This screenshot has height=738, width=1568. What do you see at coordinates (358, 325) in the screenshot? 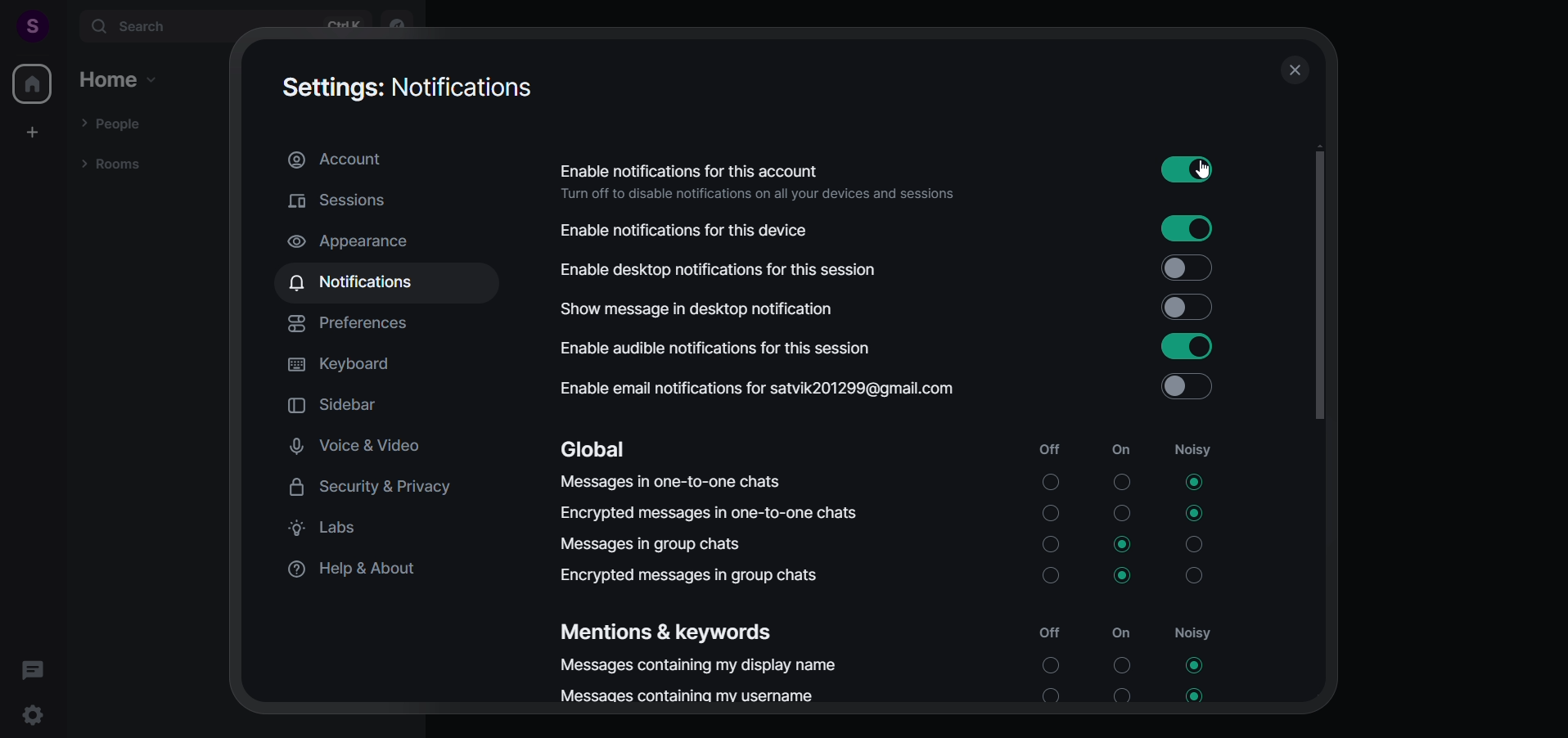
I see `preferences` at bounding box center [358, 325].